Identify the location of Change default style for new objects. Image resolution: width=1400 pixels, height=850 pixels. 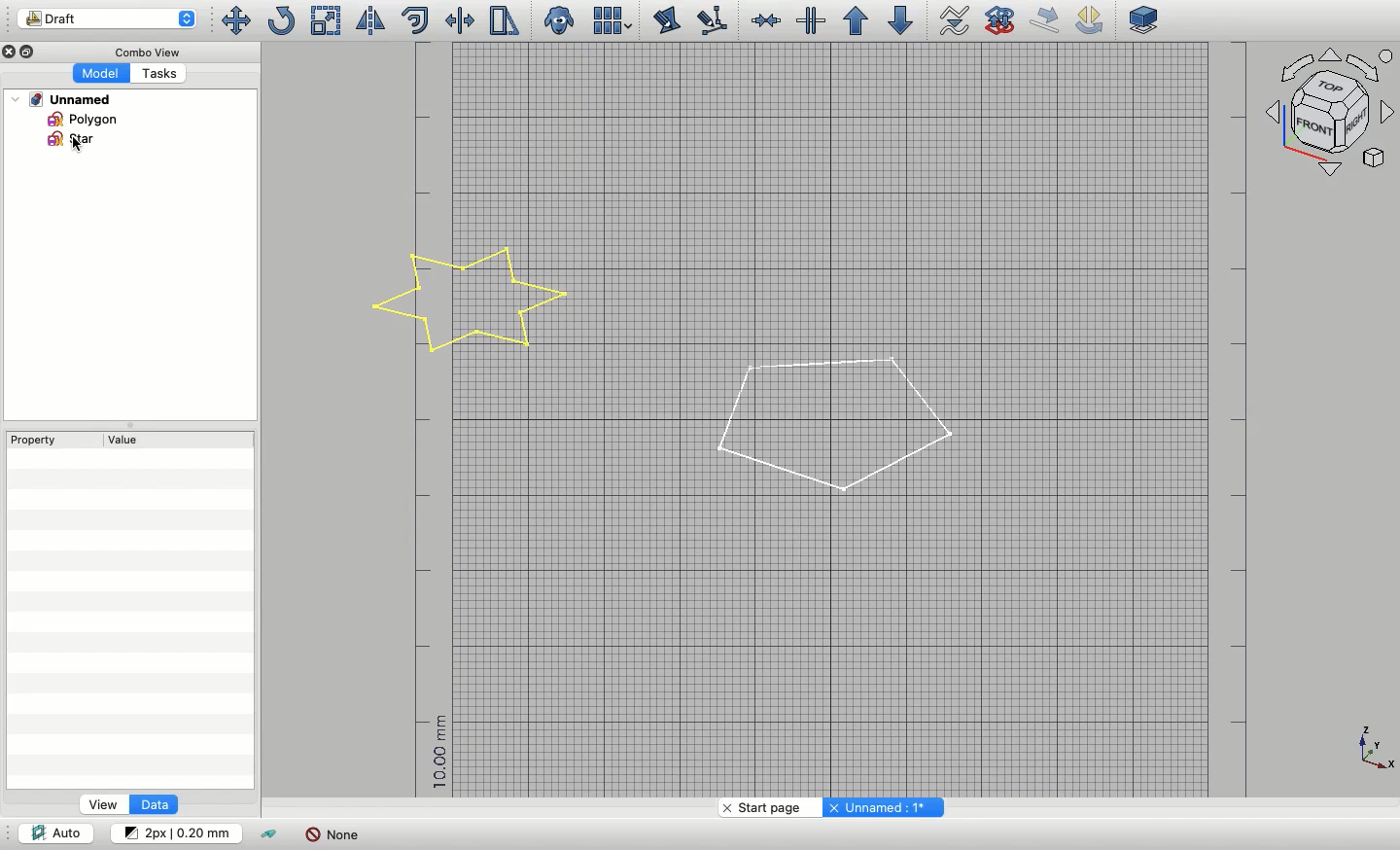
(174, 832).